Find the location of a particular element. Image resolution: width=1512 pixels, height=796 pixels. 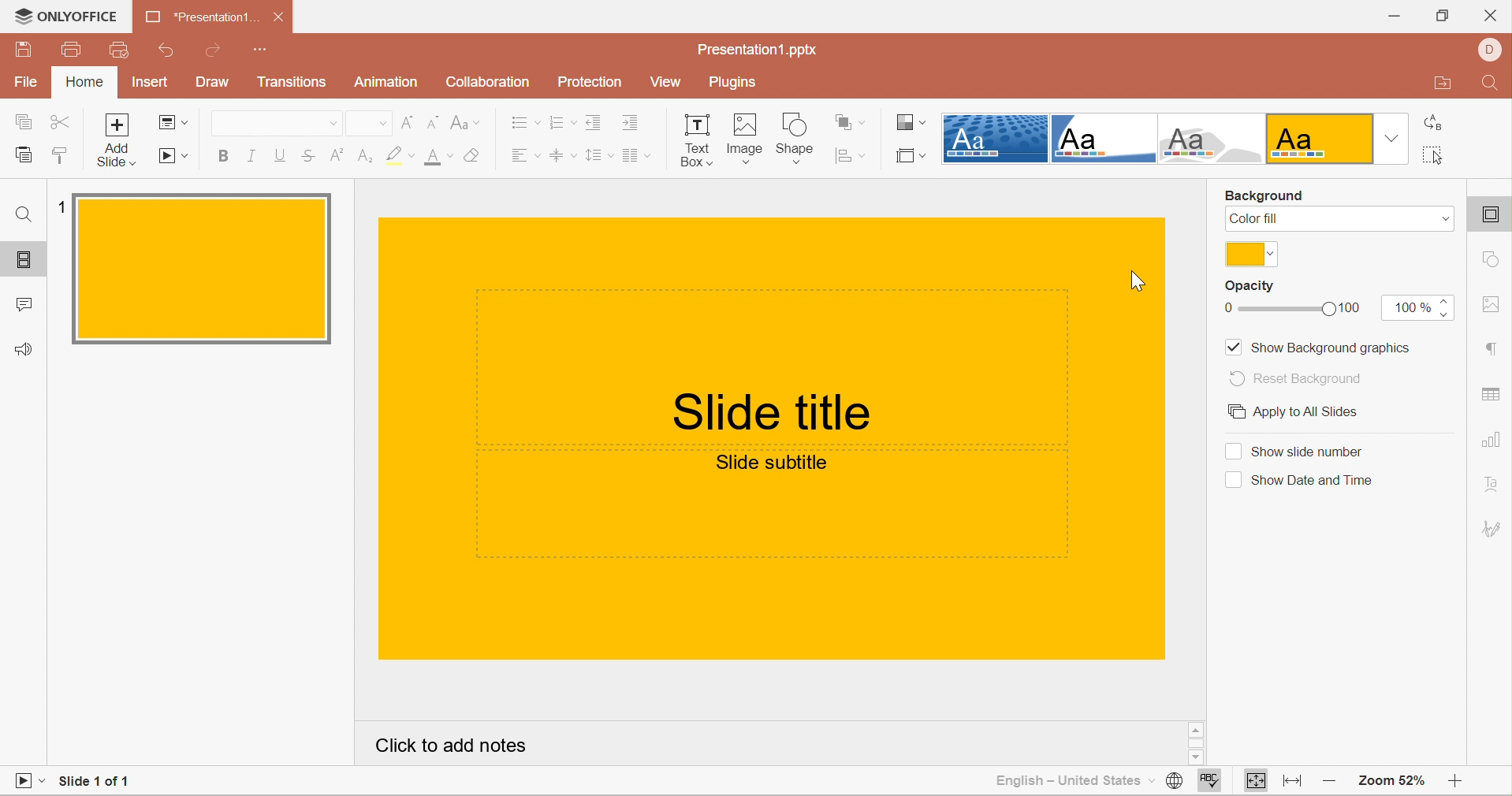

File is located at coordinates (31, 84).